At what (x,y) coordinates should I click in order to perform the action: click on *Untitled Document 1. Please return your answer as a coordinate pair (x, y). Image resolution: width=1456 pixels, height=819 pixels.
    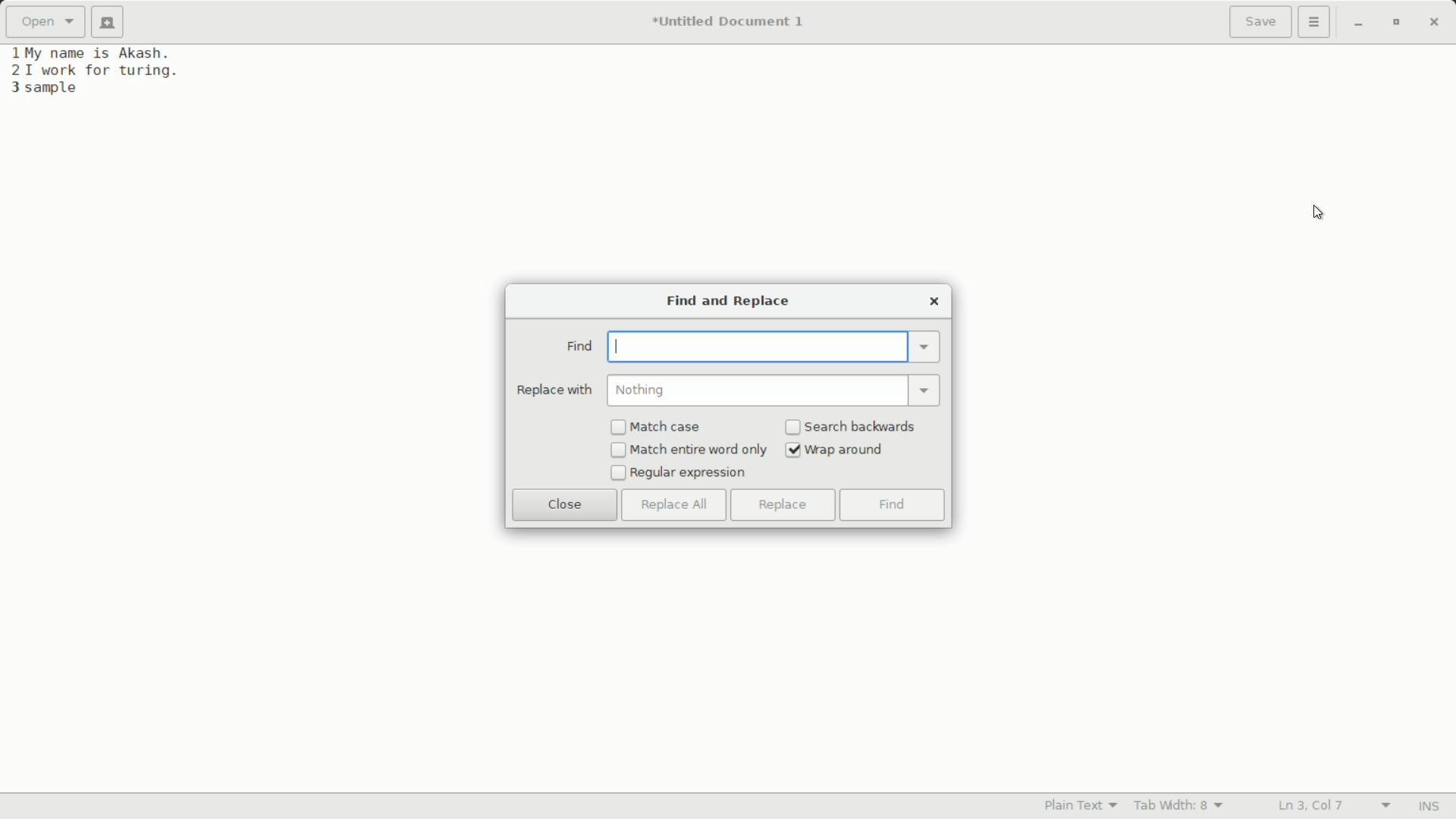
    Looking at the image, I should click on (728, 24).